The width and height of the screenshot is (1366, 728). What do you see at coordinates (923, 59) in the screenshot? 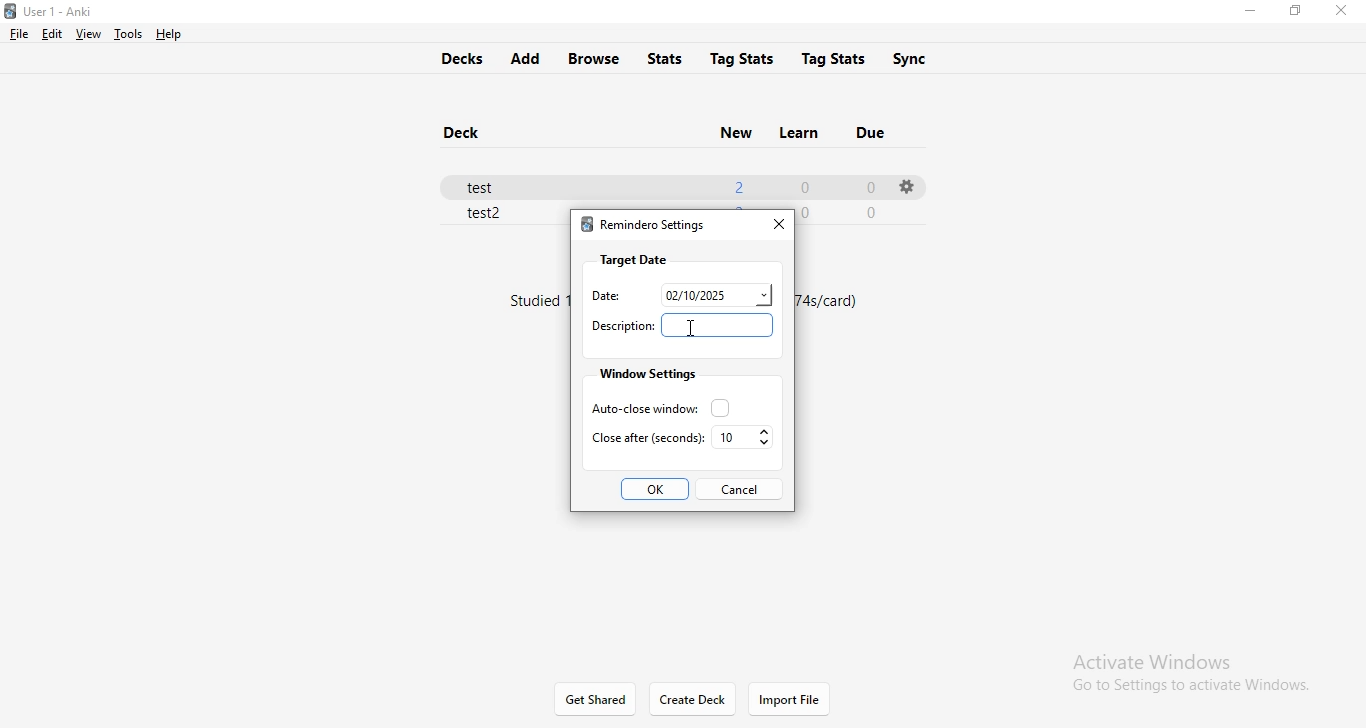
I see `sync` at bounding box center [923, 59].